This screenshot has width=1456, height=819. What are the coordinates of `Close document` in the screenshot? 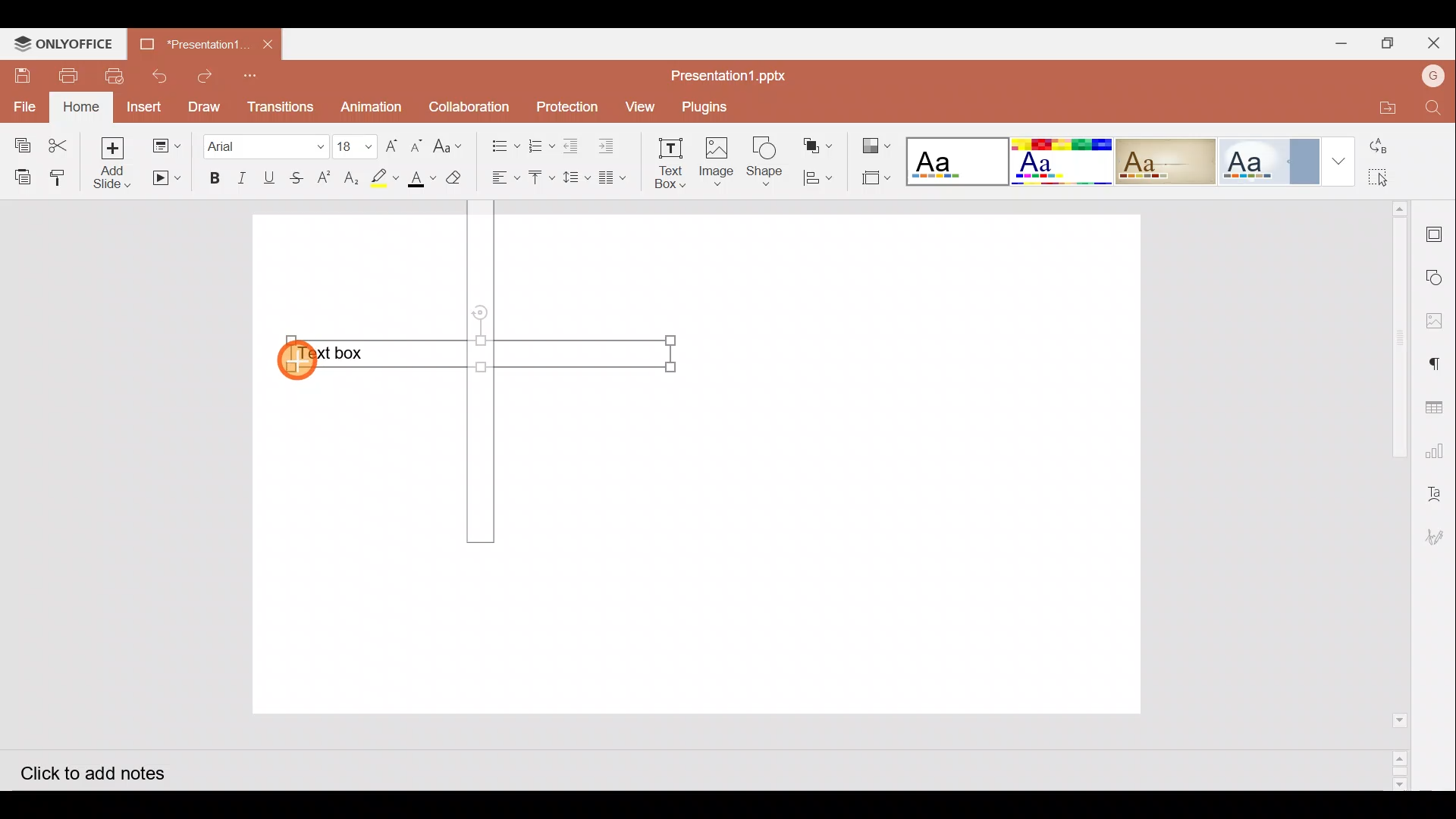 It's located at (267, 42).